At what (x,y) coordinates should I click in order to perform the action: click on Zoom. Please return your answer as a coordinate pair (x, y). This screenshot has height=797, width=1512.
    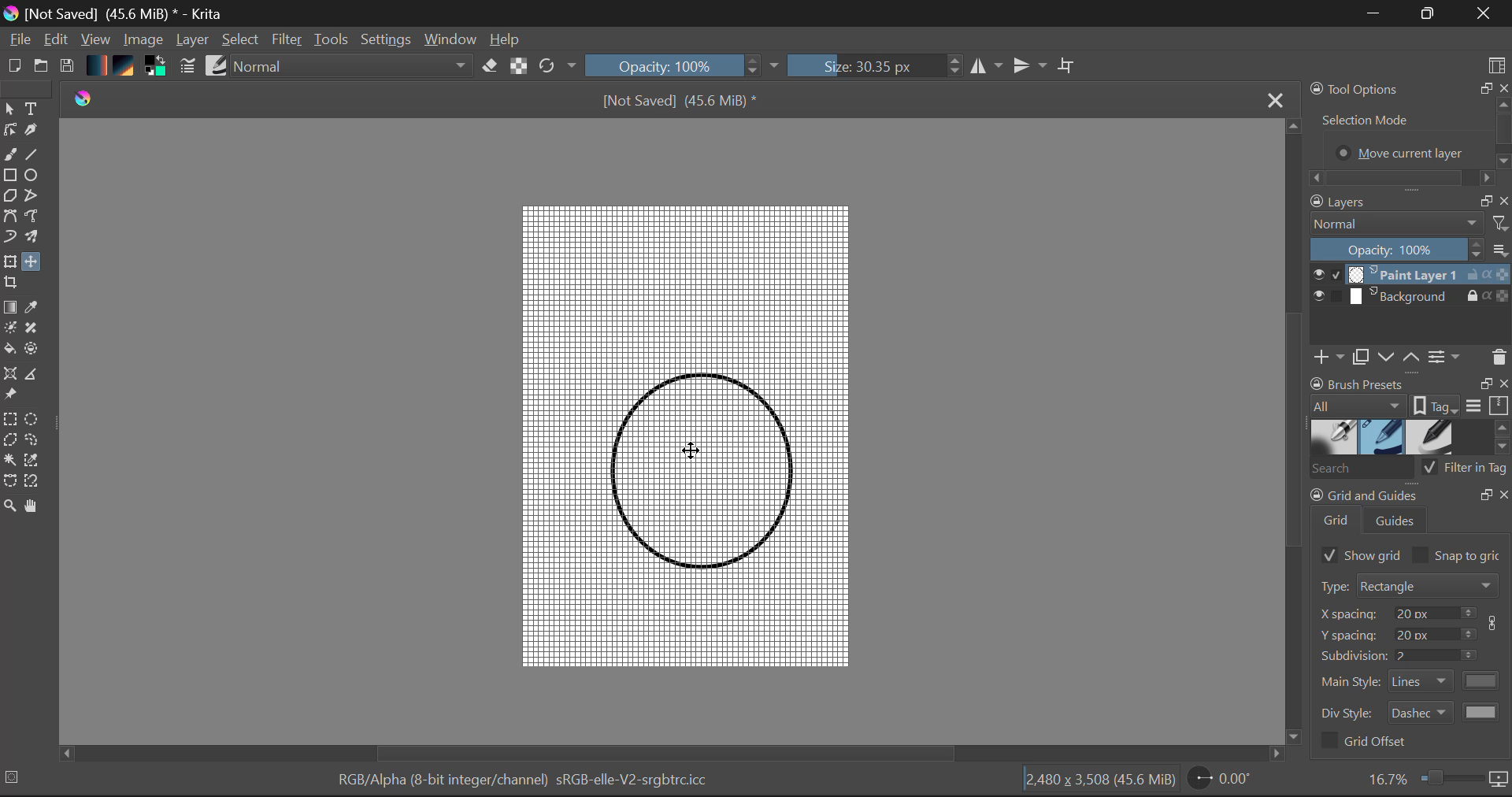
    Looking at the image, I should click on (9, 505).